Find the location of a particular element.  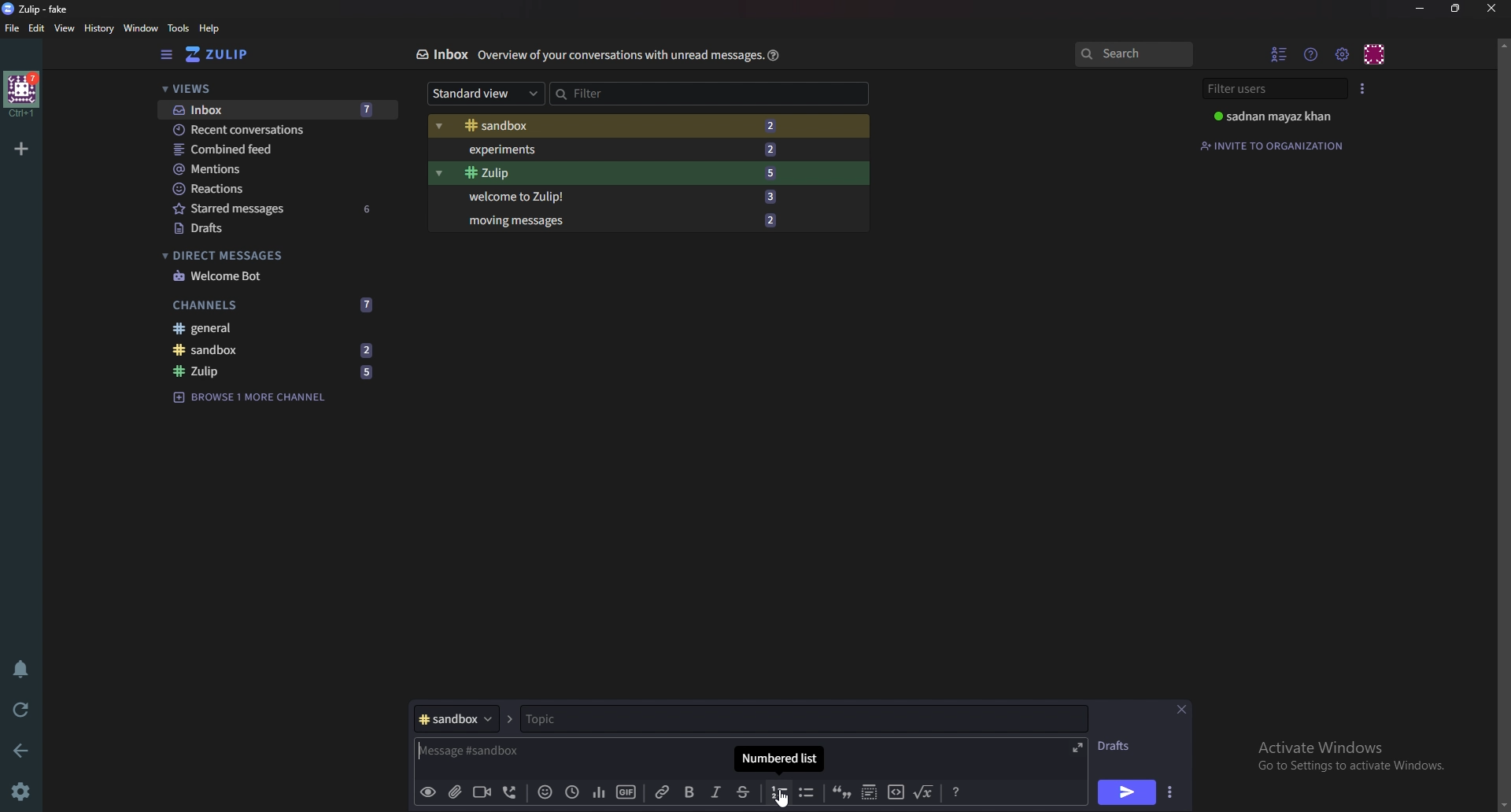

Reload is located at coordinates (24, 708).